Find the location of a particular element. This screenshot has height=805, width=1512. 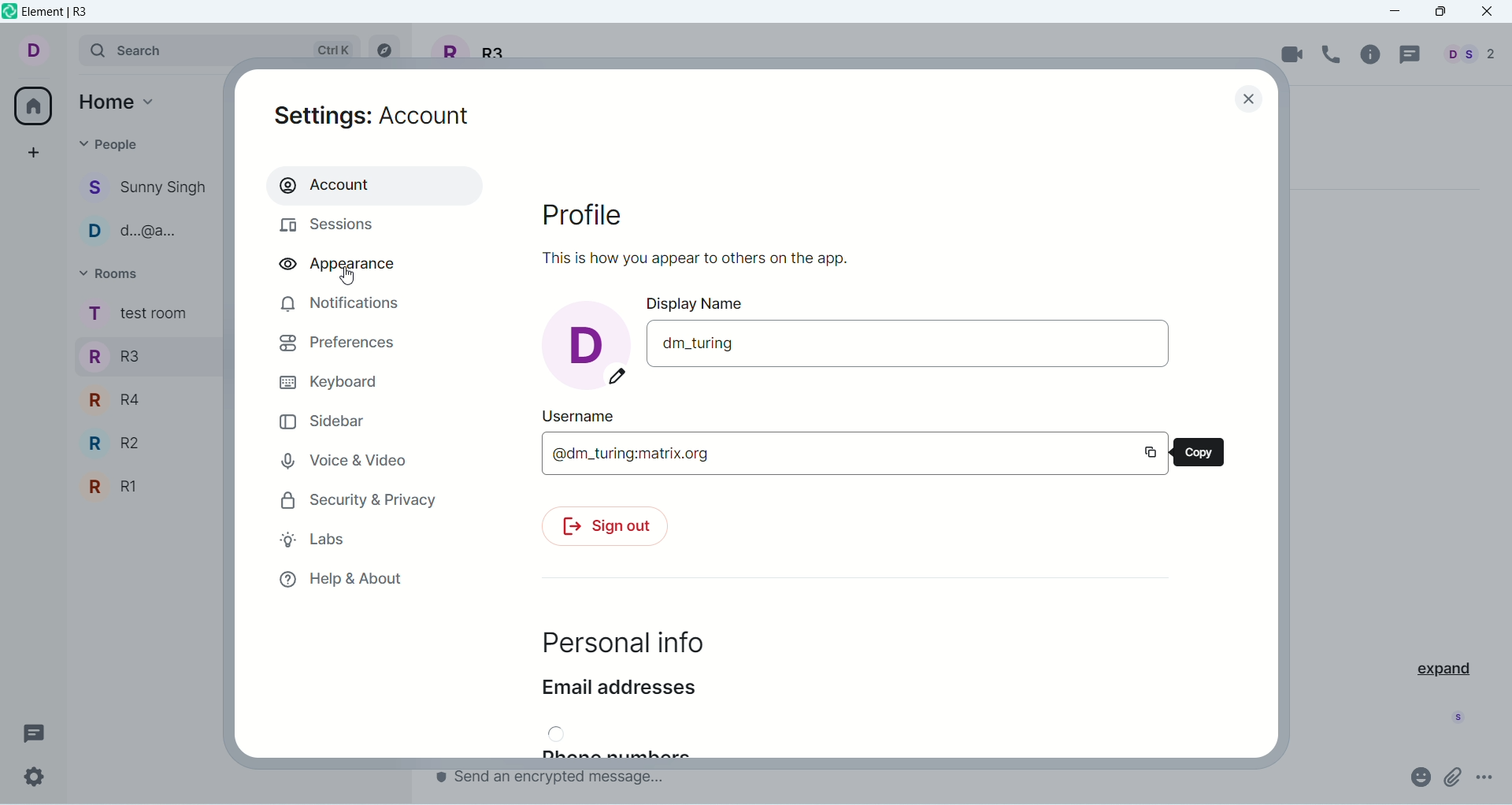

R4 is located at coordinates (144, 398).